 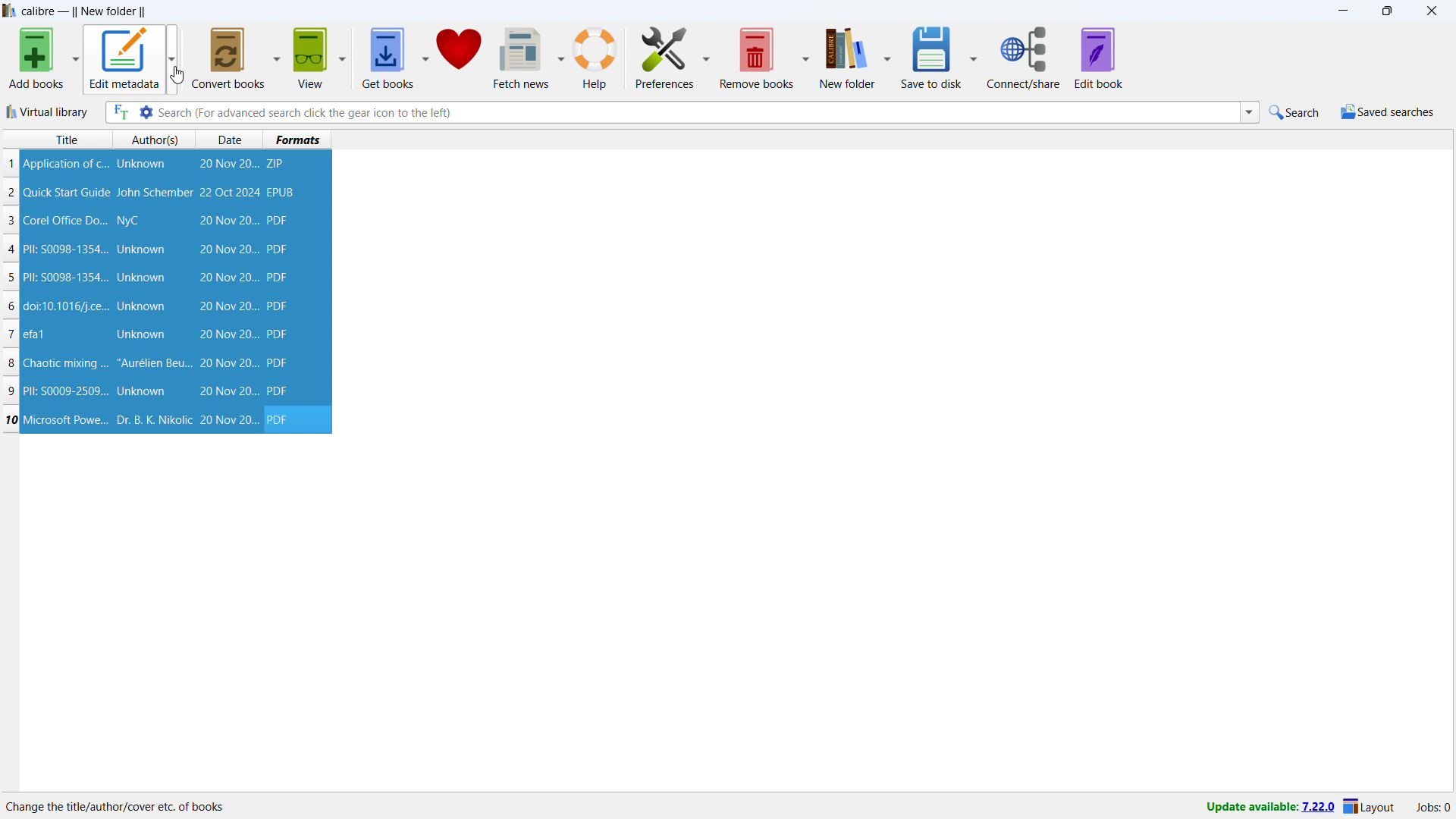 I want to click on PDF, so click(x=279, y=221).